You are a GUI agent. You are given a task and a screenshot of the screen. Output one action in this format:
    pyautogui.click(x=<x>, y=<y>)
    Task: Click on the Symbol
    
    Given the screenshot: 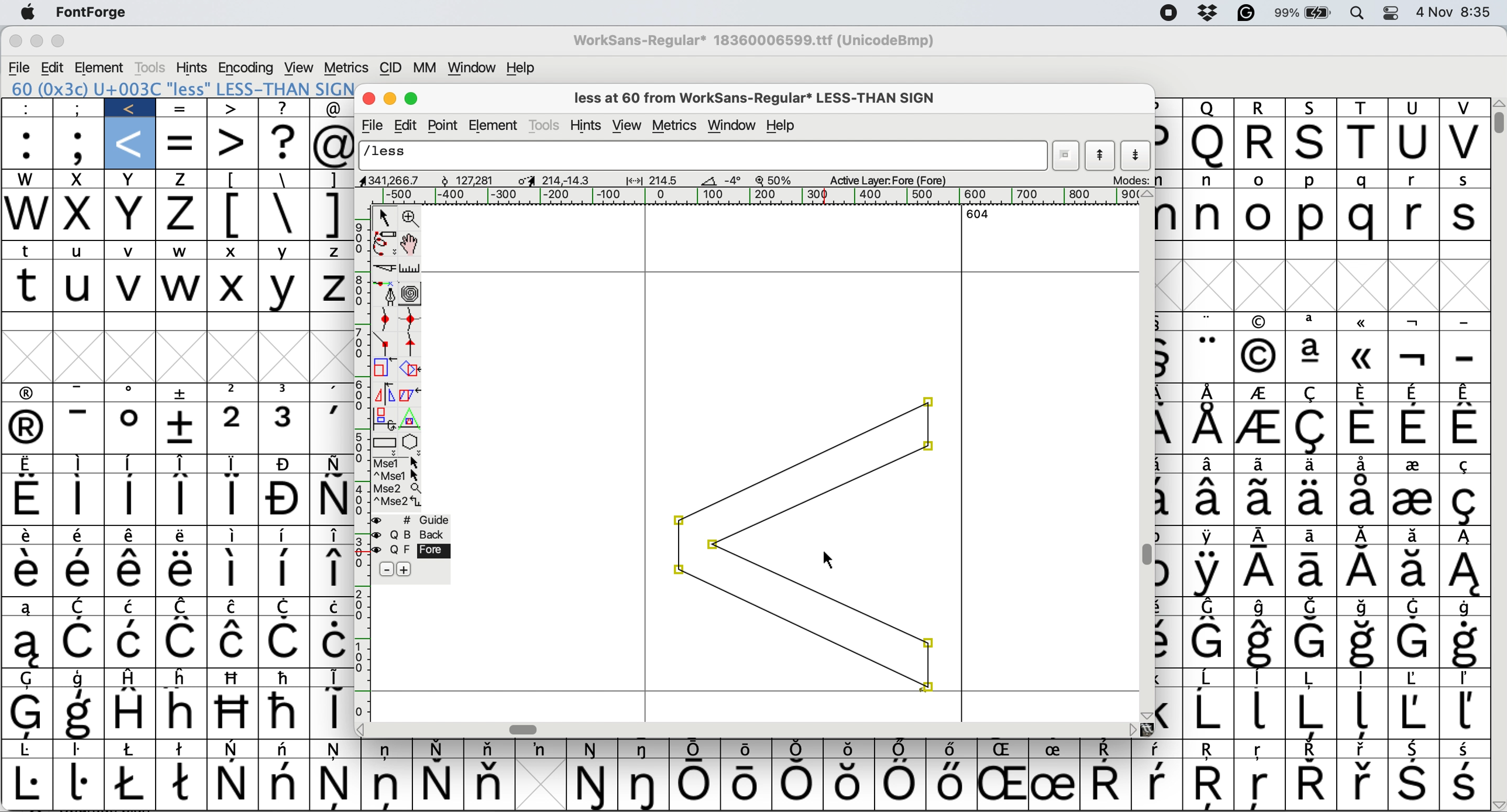 What is the action you would take?
    pyautogui.click(x=1170, y=502)
    